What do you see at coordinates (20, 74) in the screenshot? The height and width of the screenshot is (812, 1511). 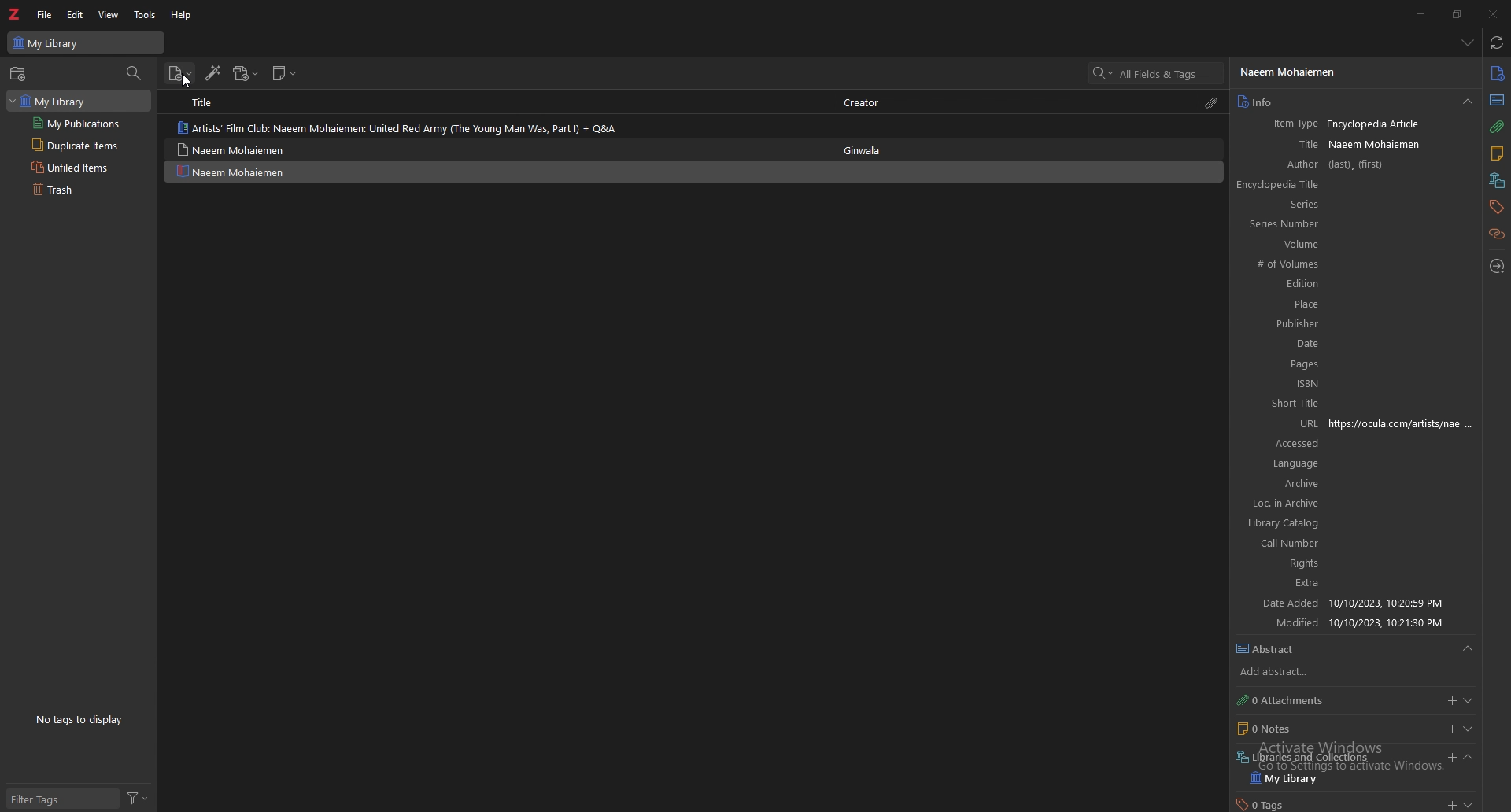 I see `new collection` at bounding box center [20, 74].